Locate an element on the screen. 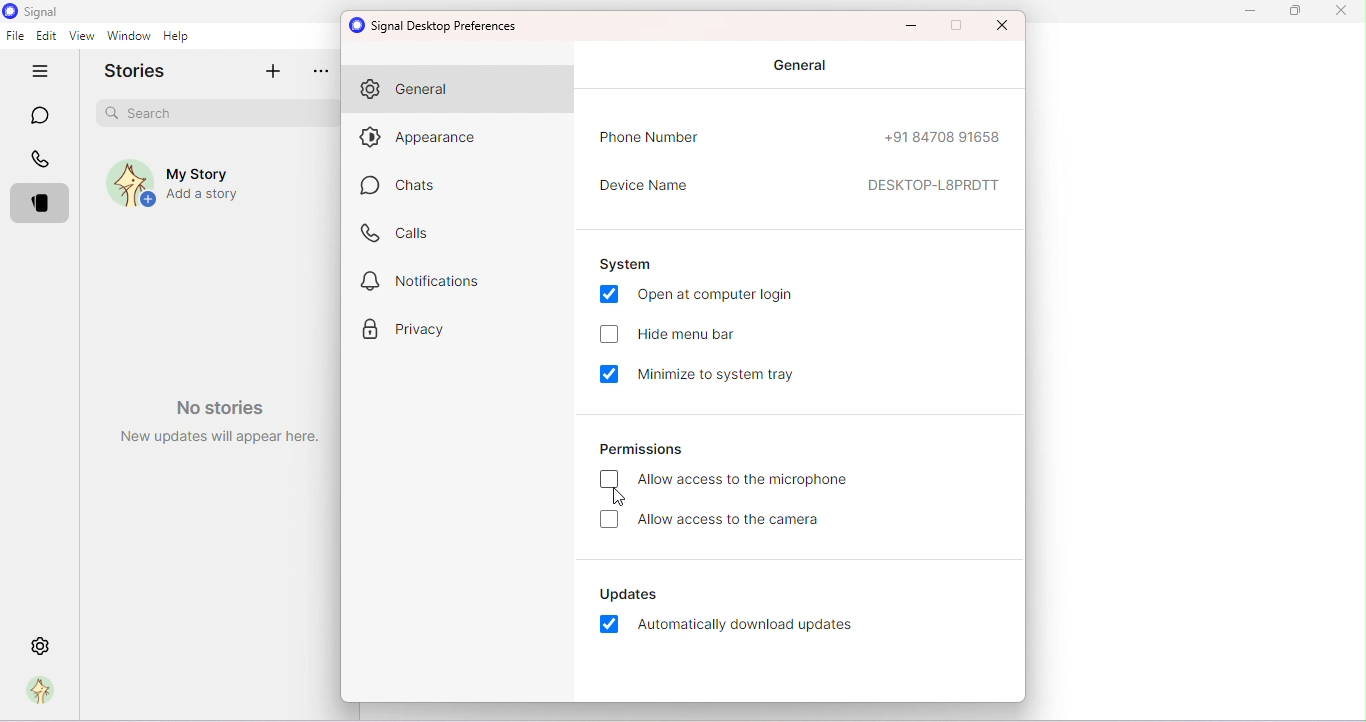  Stories is located at coordinates (149, 71).